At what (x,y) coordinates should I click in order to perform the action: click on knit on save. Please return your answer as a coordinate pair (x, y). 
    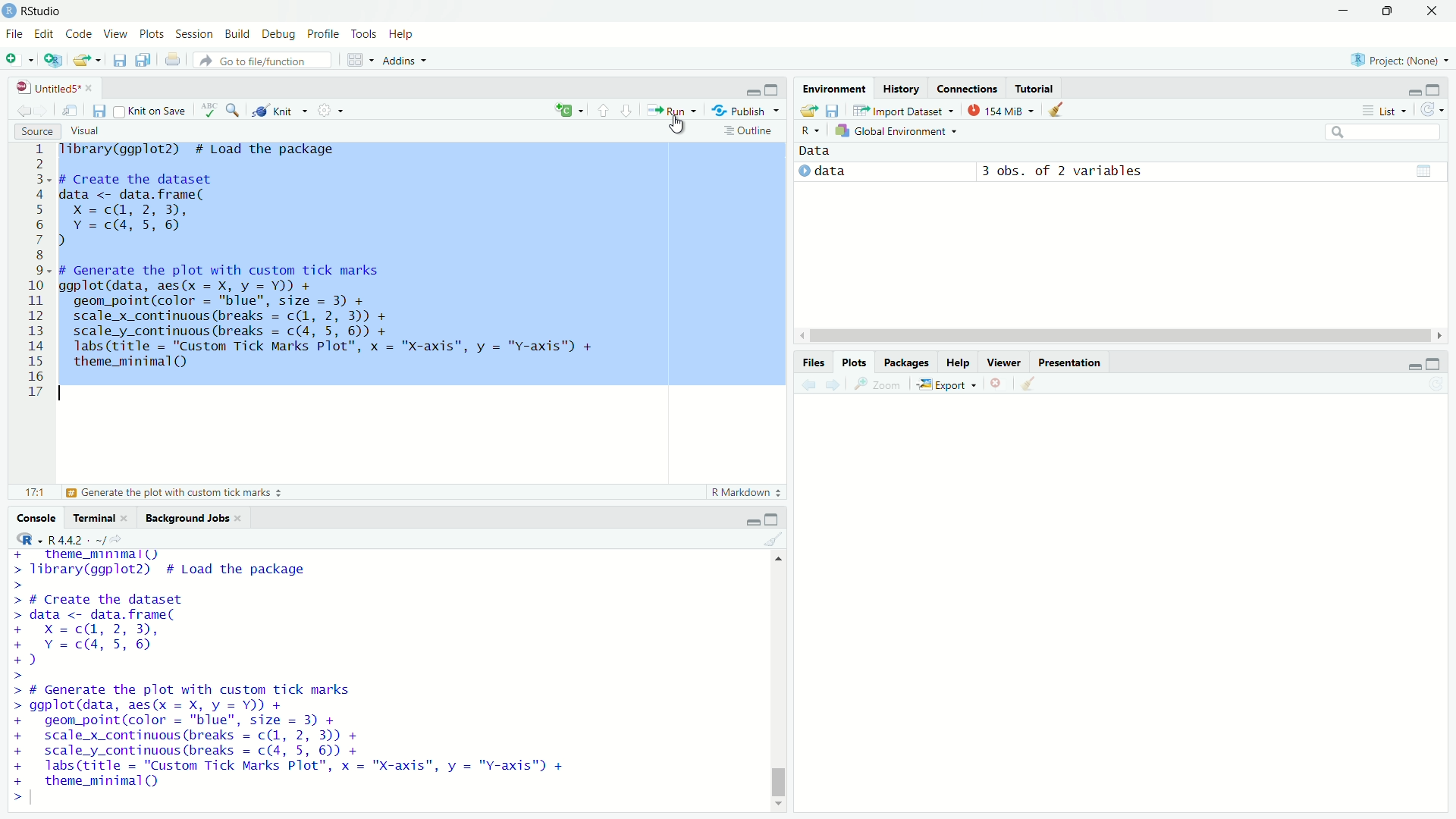
    Looking at the image, I should click on (155, 110).